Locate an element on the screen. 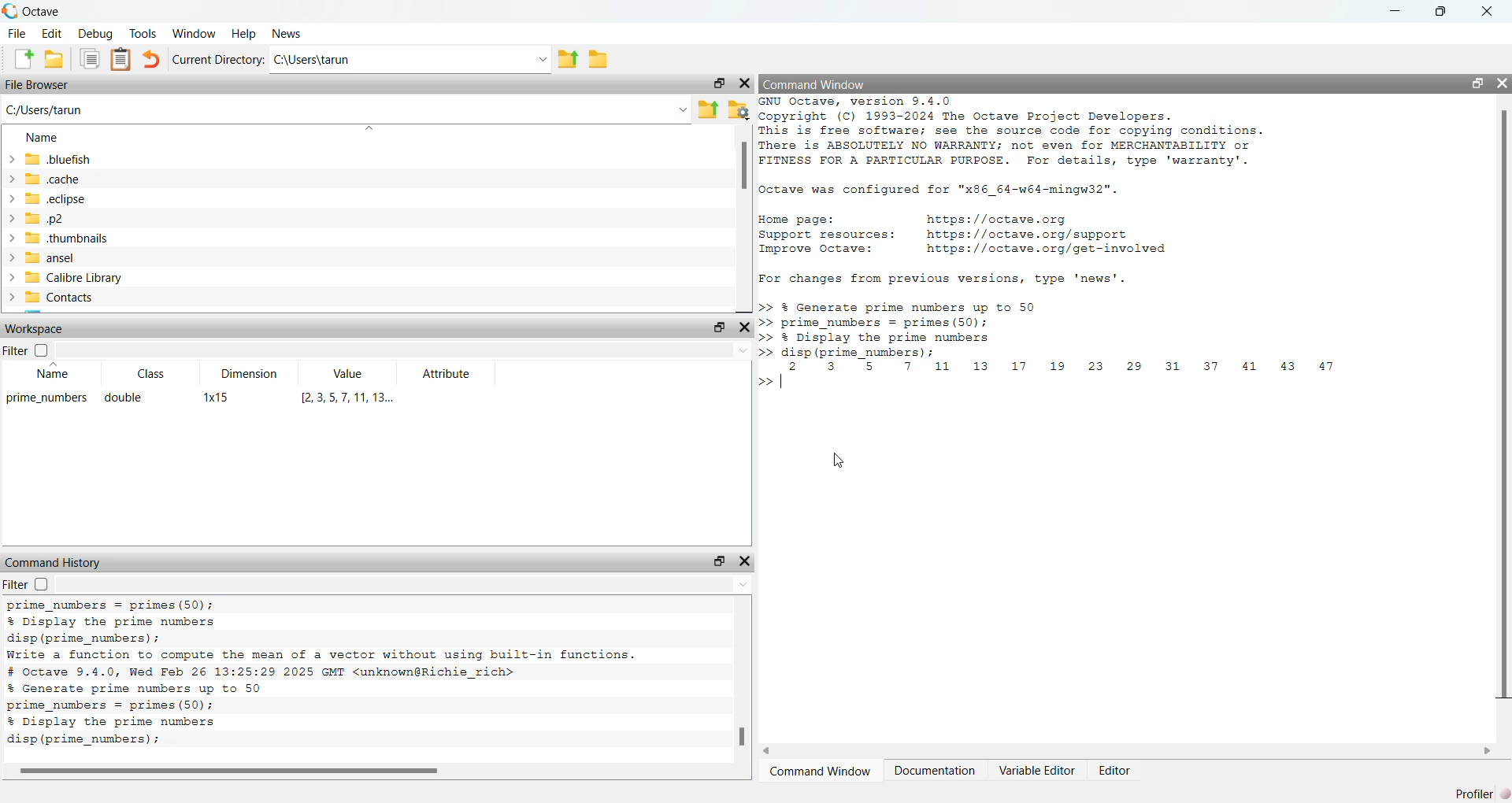  filter is located at coordinates (27, 349).